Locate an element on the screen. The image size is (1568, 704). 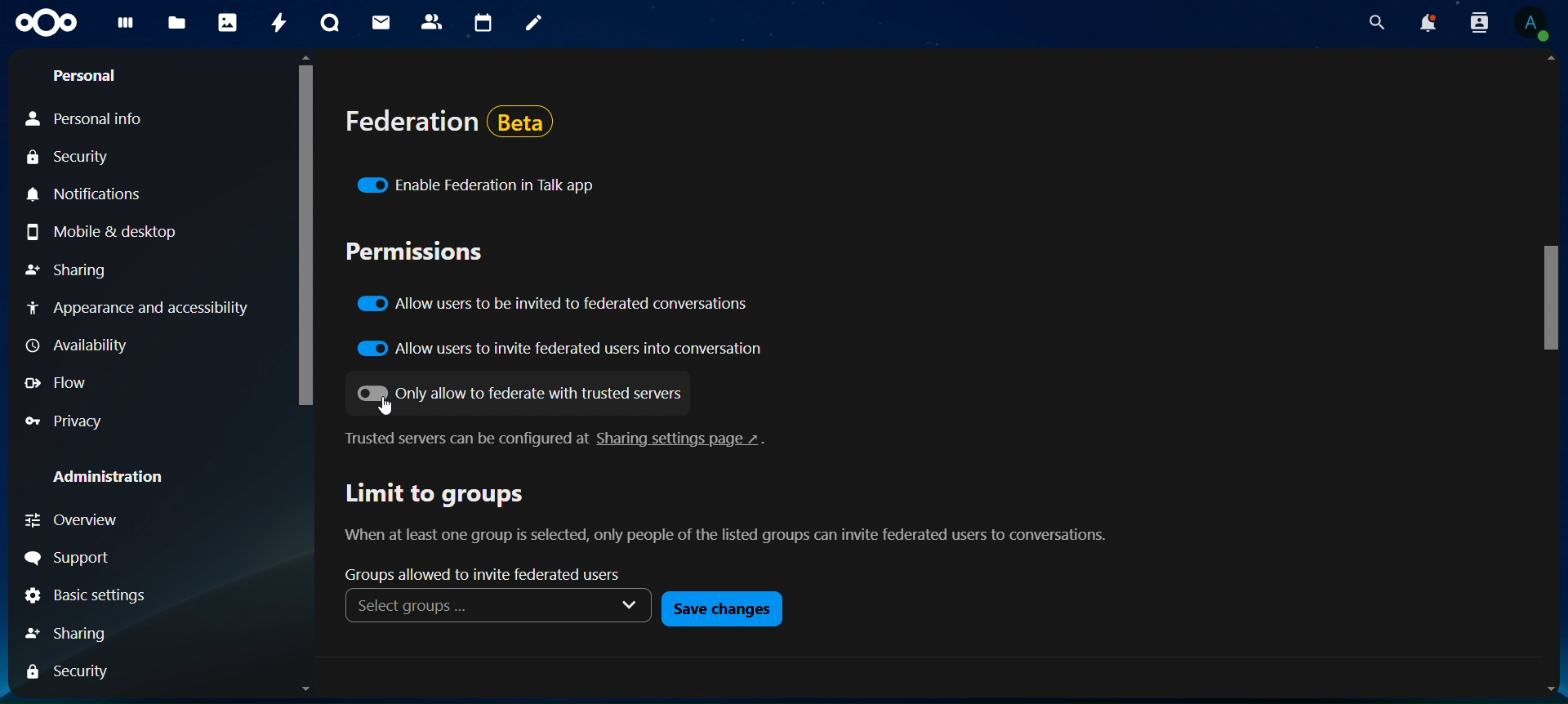
dashboard is located at coordinates (131, 29).